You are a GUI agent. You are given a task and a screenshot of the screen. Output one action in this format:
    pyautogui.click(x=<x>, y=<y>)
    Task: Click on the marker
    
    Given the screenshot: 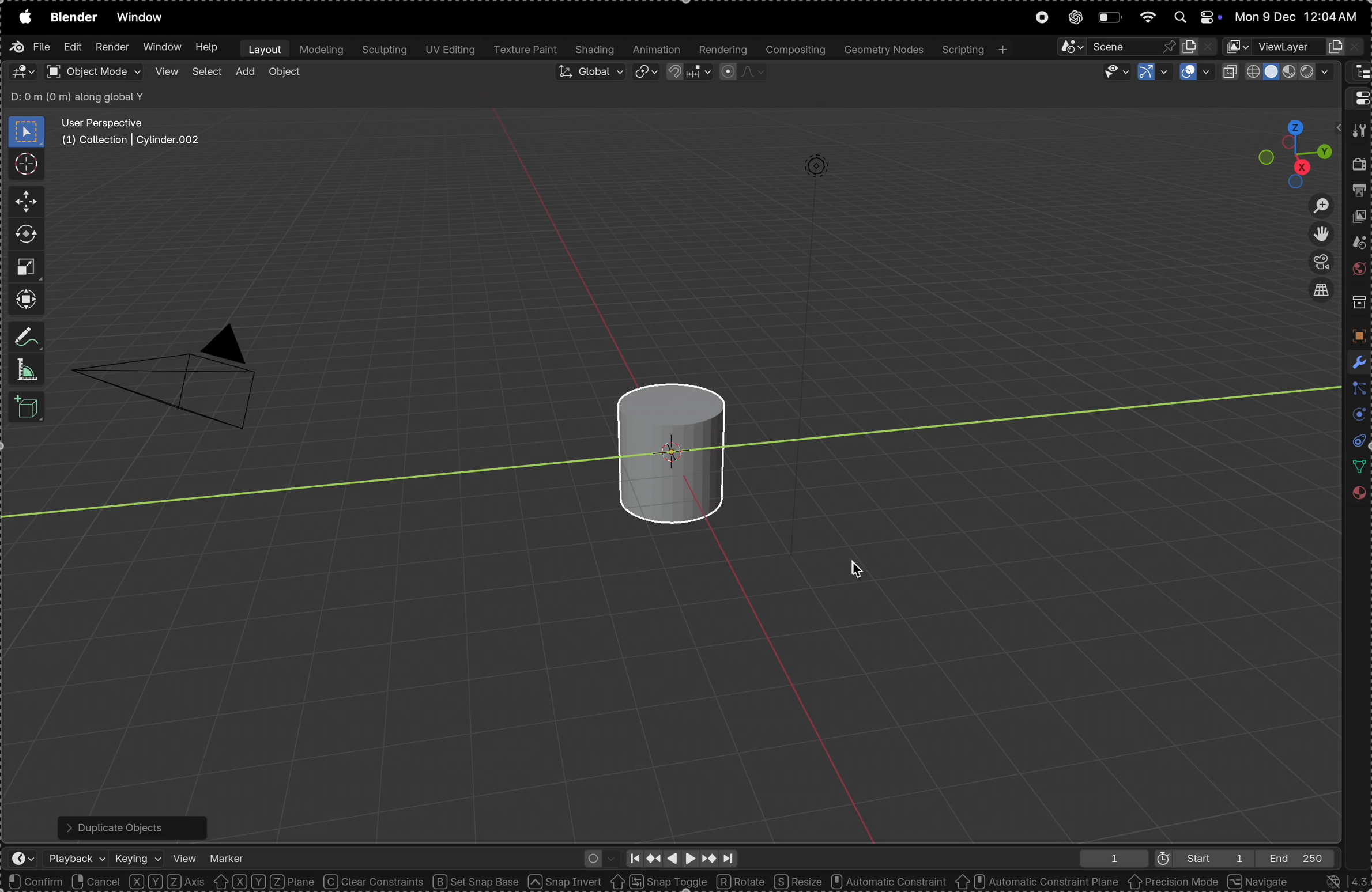 What is the action you would take?
    pyautogui.click(x=228, y=855)
    